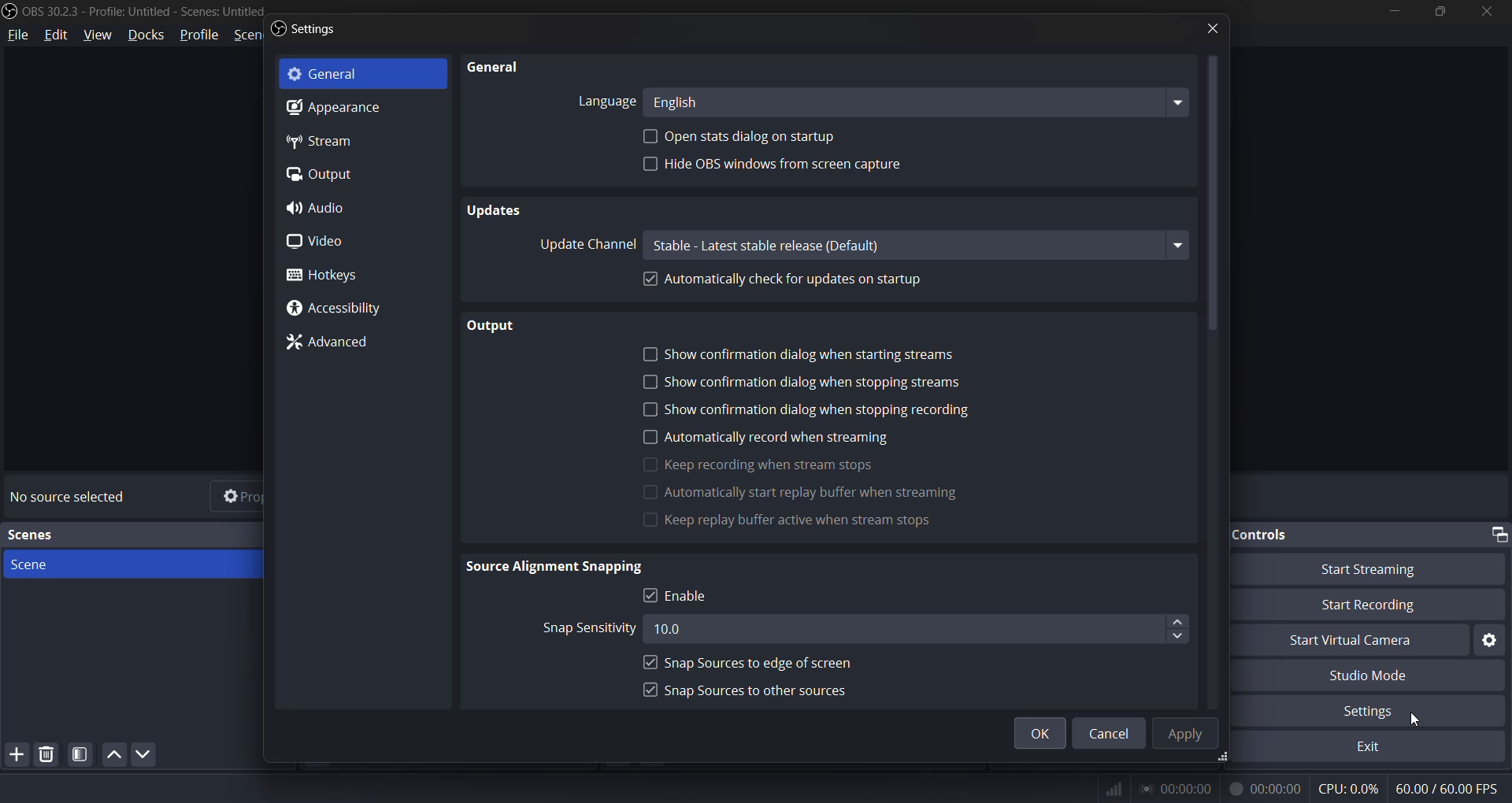 This screenshot has width=1512, height=803. I want to click on start streaming, so click(1363, 572).